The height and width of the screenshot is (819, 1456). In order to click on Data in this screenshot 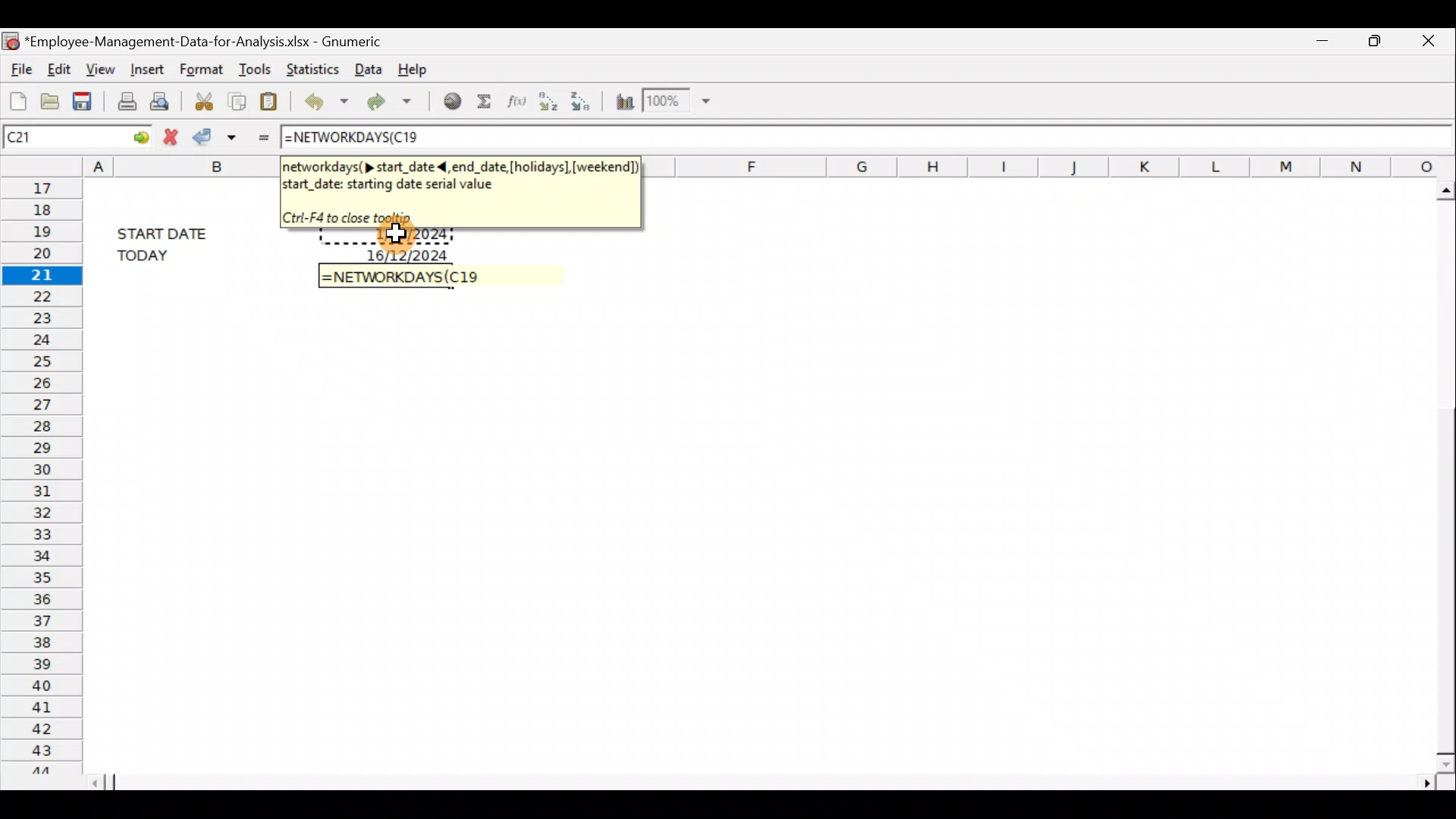, I will do `click(367, 70)`.